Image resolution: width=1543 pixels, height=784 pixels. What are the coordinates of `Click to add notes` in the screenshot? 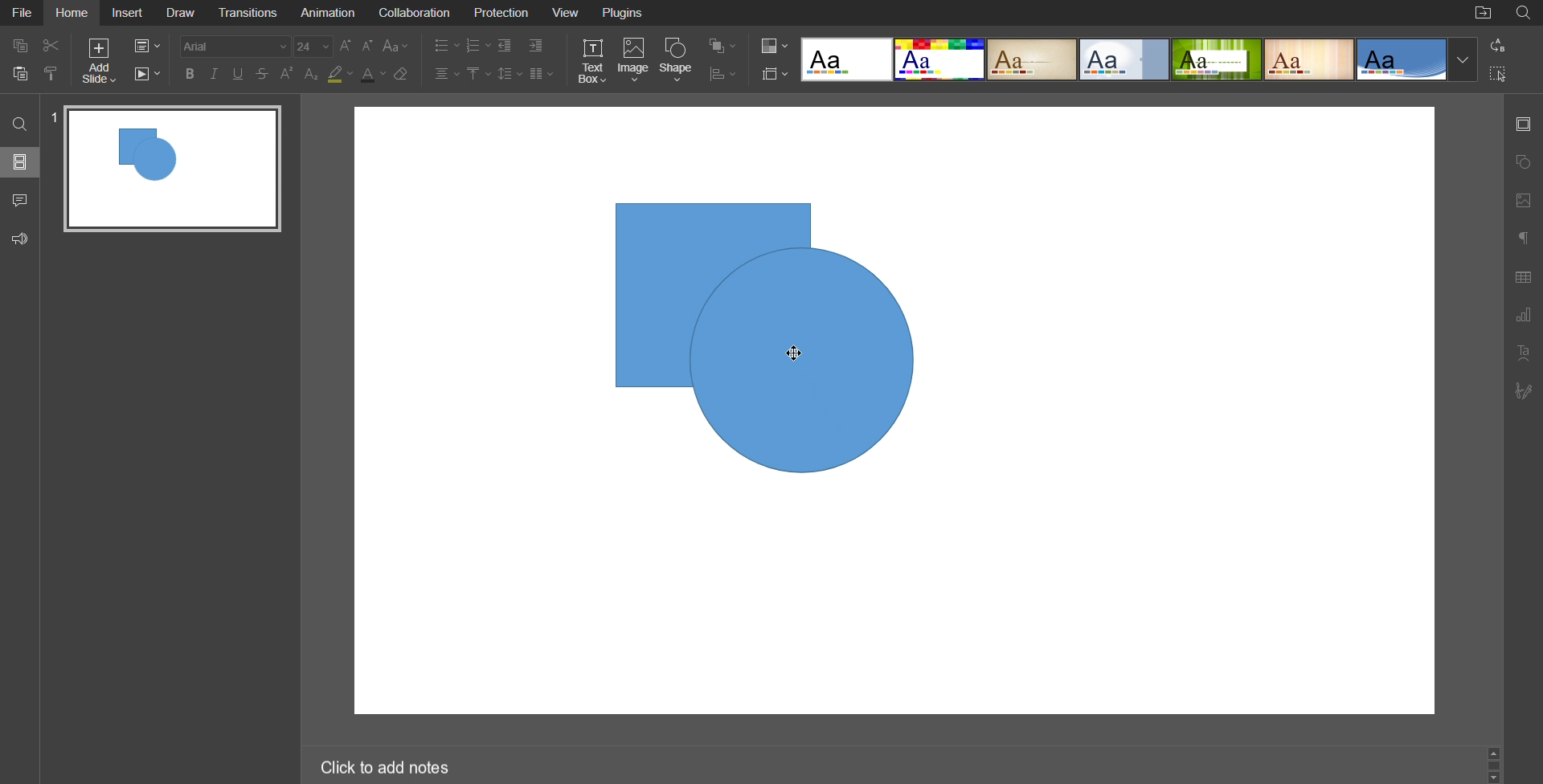 It's located at (385, 766).